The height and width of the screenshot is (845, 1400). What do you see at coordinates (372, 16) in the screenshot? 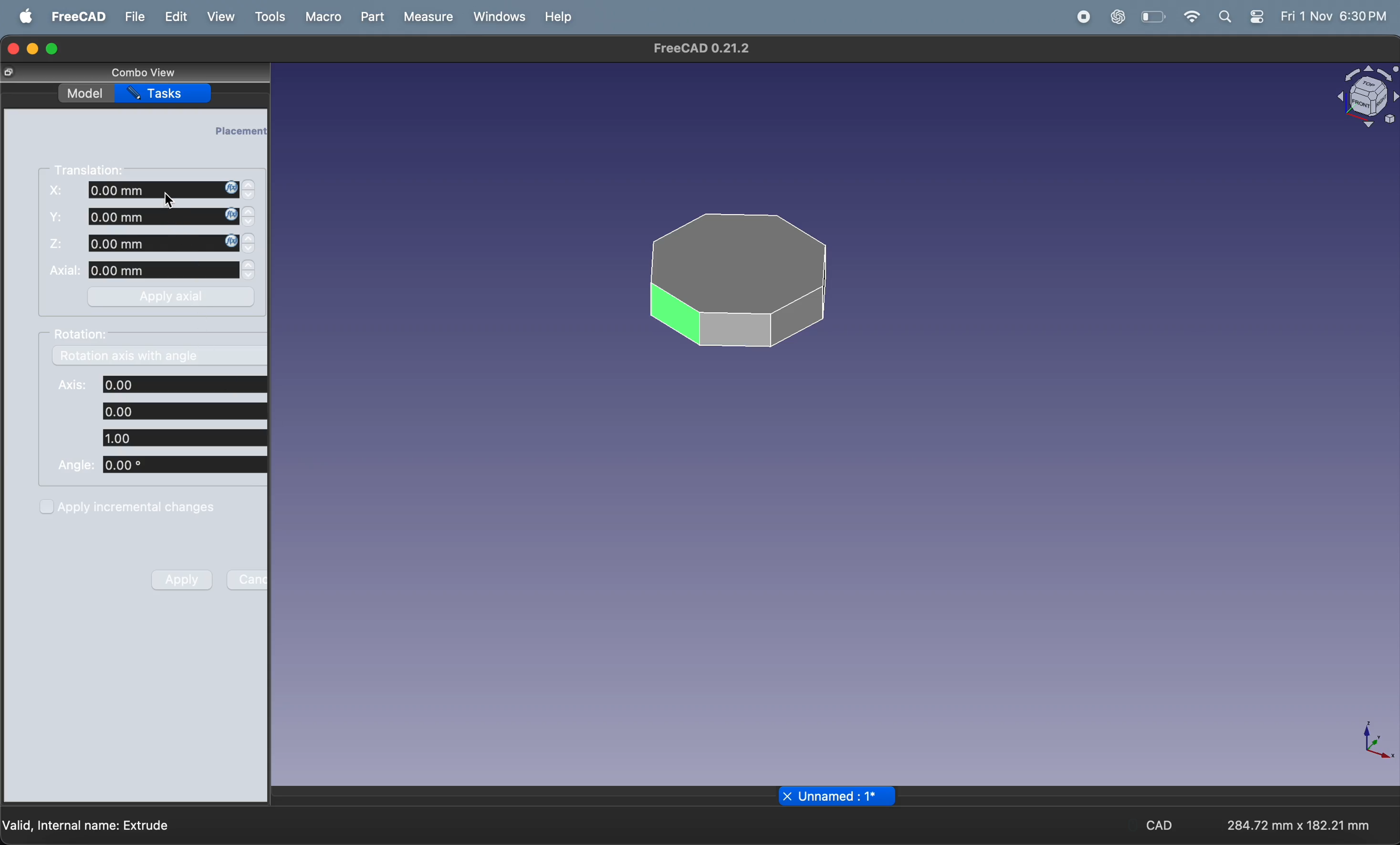
I see `part` at bounding box center [372, 16].